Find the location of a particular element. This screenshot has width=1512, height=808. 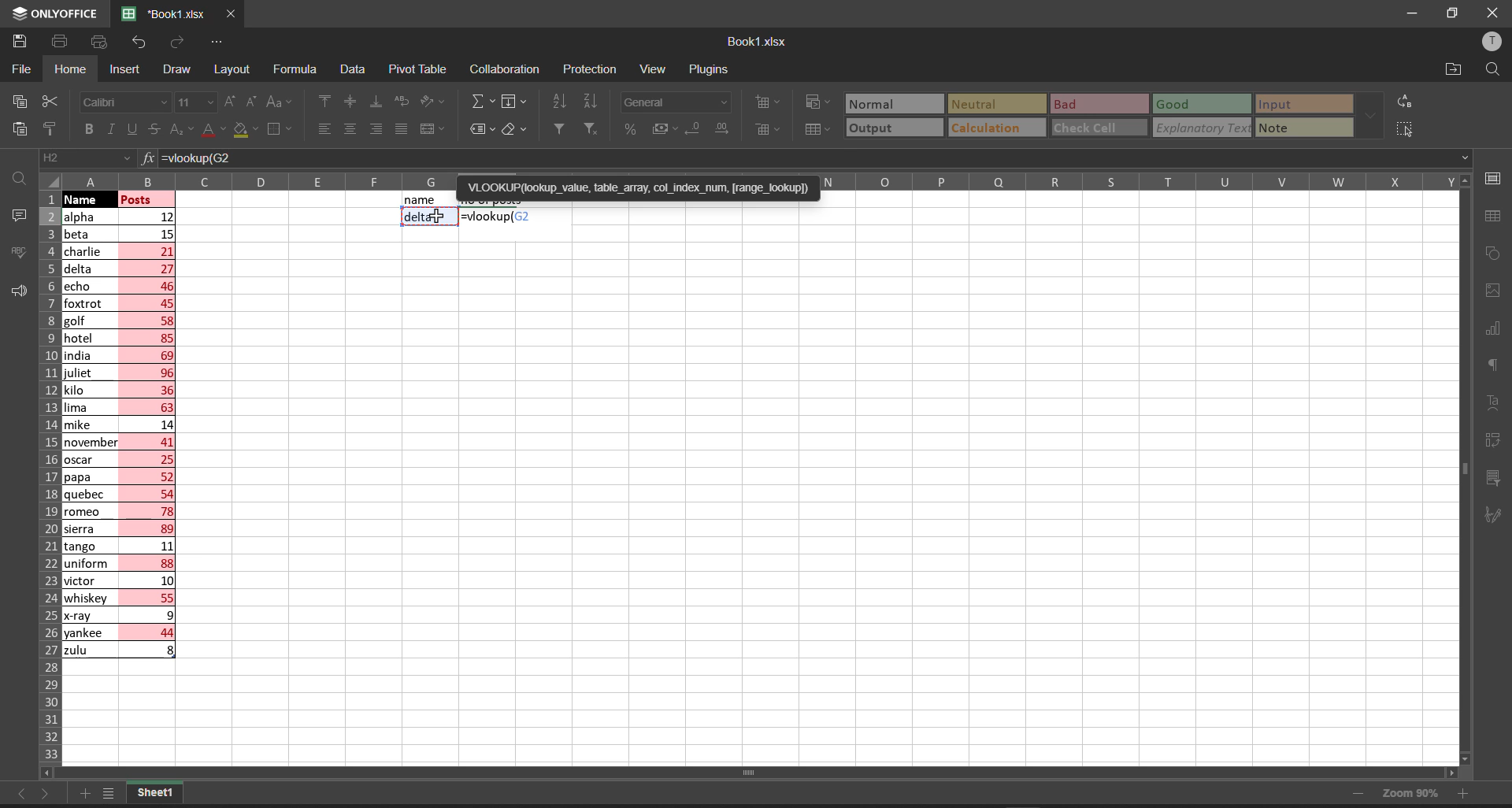

move to the sheet right to current sheet is located at coordinates (48, 797).